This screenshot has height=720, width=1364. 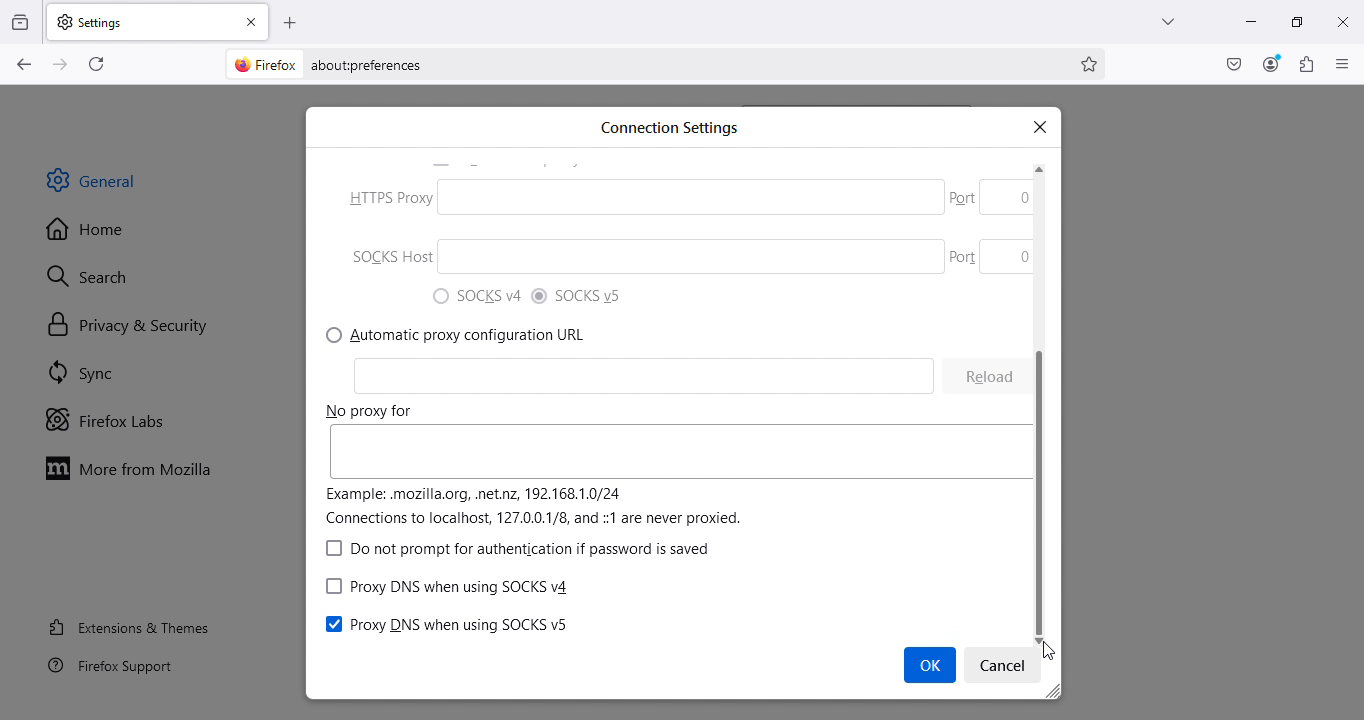 I want to click on Settings, so click(x=1006, y=664).